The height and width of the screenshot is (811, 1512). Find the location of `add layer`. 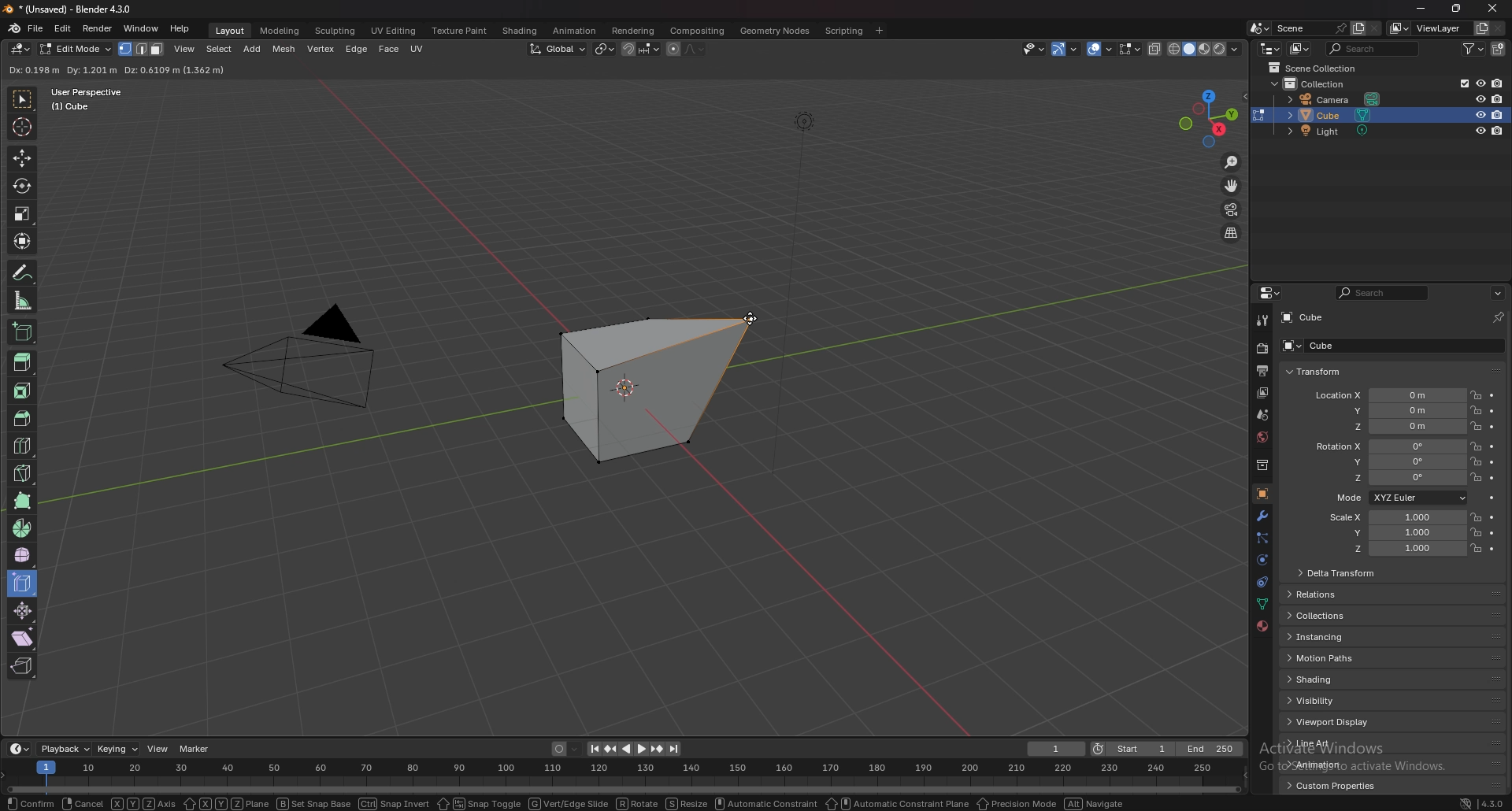

add layer is located at coordinates (1358, 28).